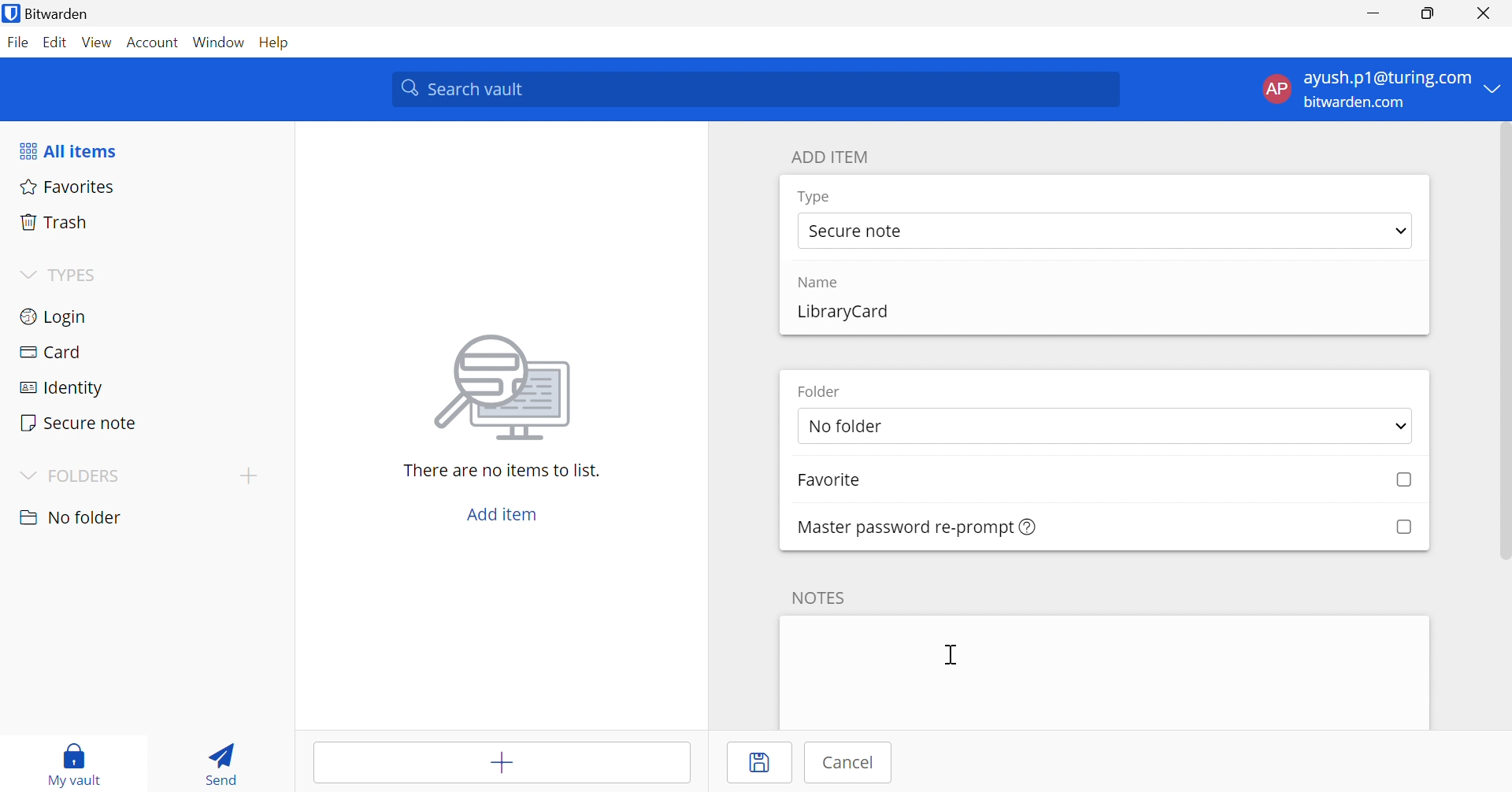  I want to click on Add item, so click(502, 763).